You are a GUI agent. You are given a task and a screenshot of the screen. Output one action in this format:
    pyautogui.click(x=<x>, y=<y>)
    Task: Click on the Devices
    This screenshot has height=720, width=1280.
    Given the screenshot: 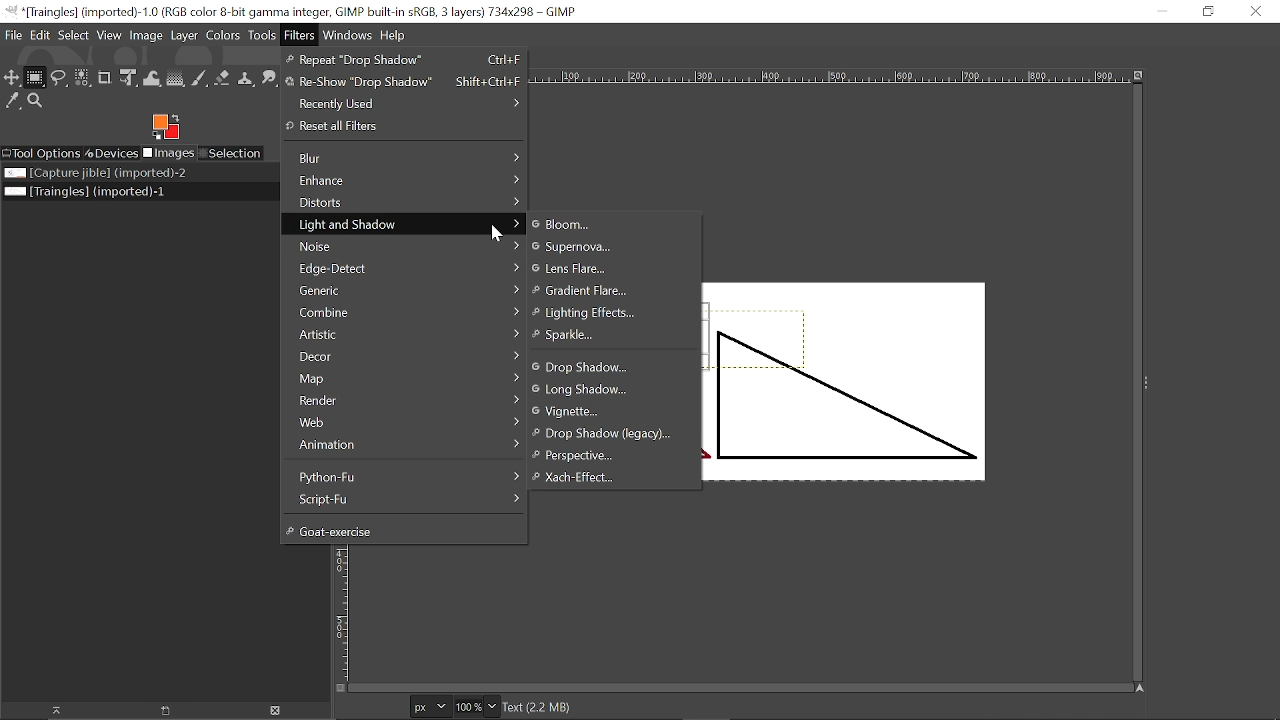 What is the action you would take?
    pyautogui.click(x=111, y=152)
    